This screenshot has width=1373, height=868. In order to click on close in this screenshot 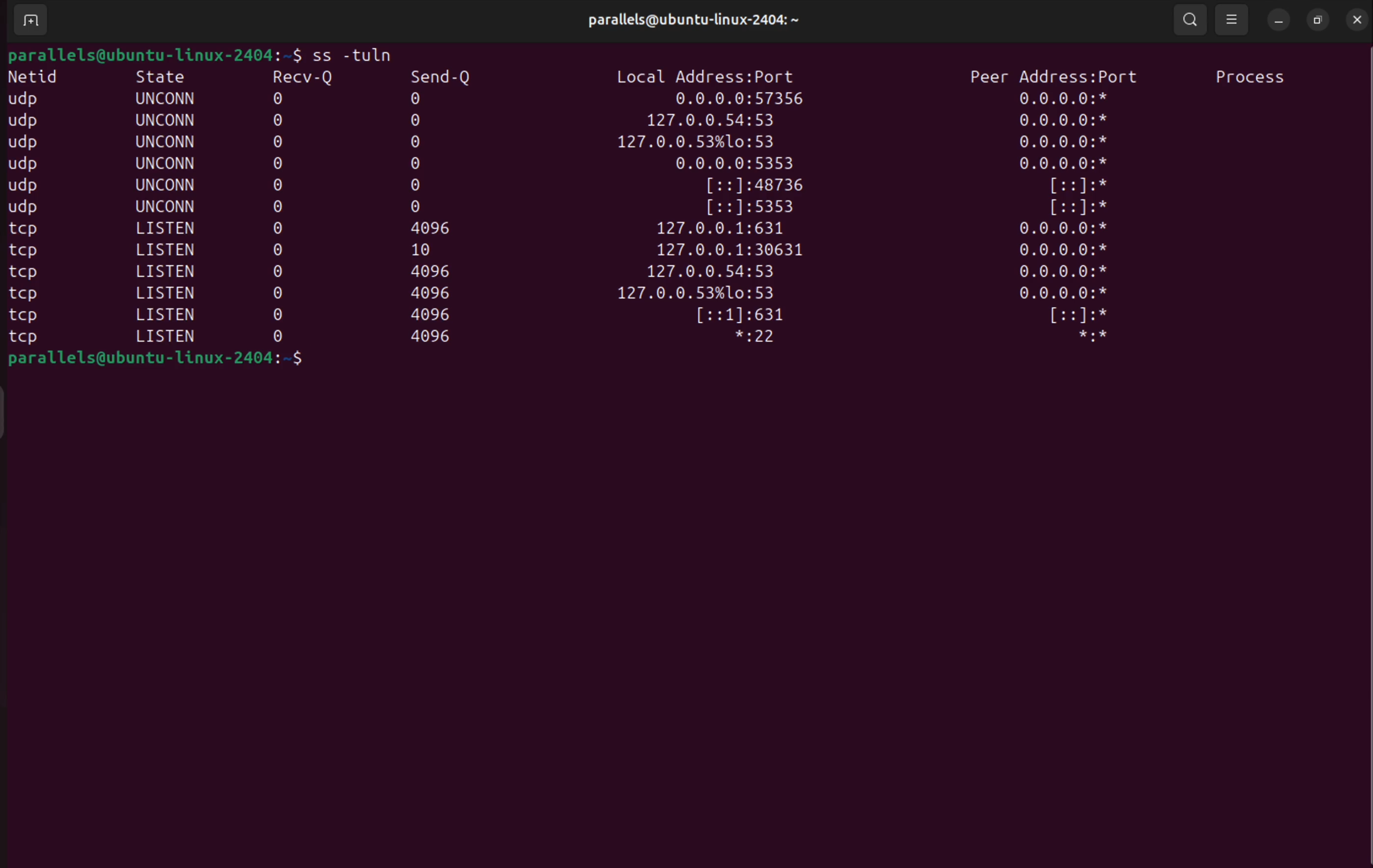, I will do `click(1358, 19)`.